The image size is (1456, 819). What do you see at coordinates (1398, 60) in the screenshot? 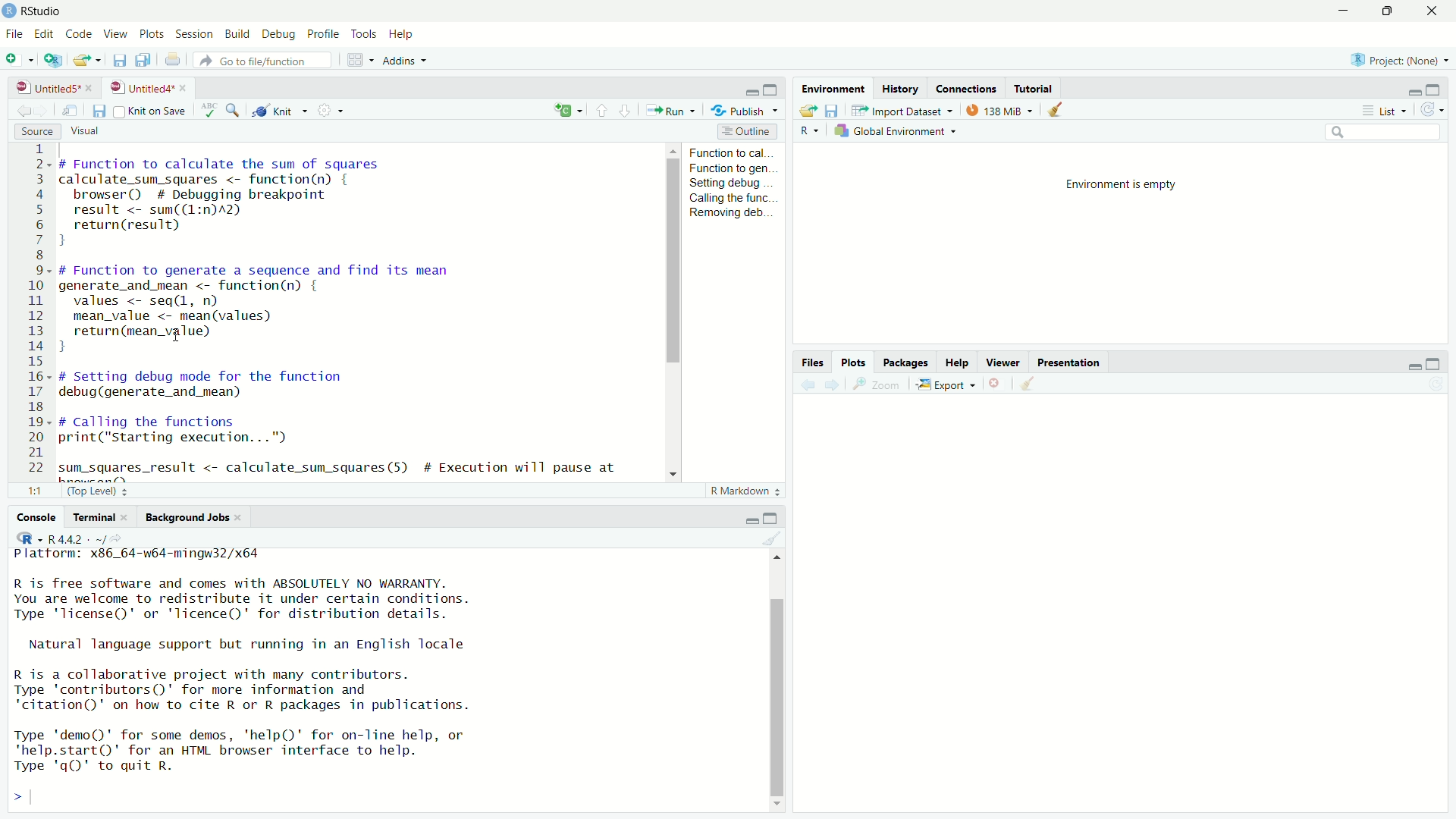
I see `Project: (None)` at bounding box center [1398, 60].